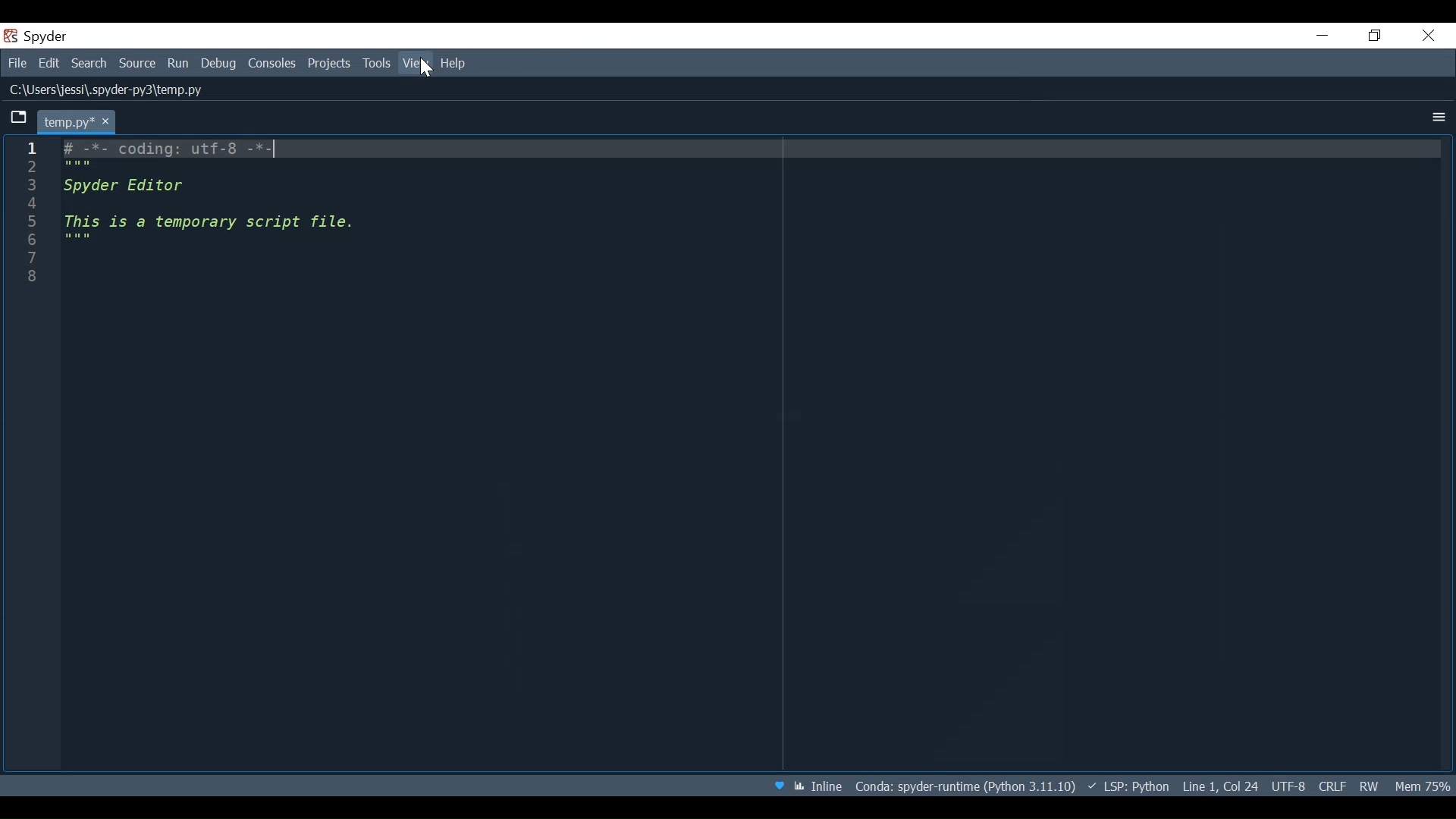 This screenshot has width=1456, height=819. I want to click on temp.py, so click(79, 120).